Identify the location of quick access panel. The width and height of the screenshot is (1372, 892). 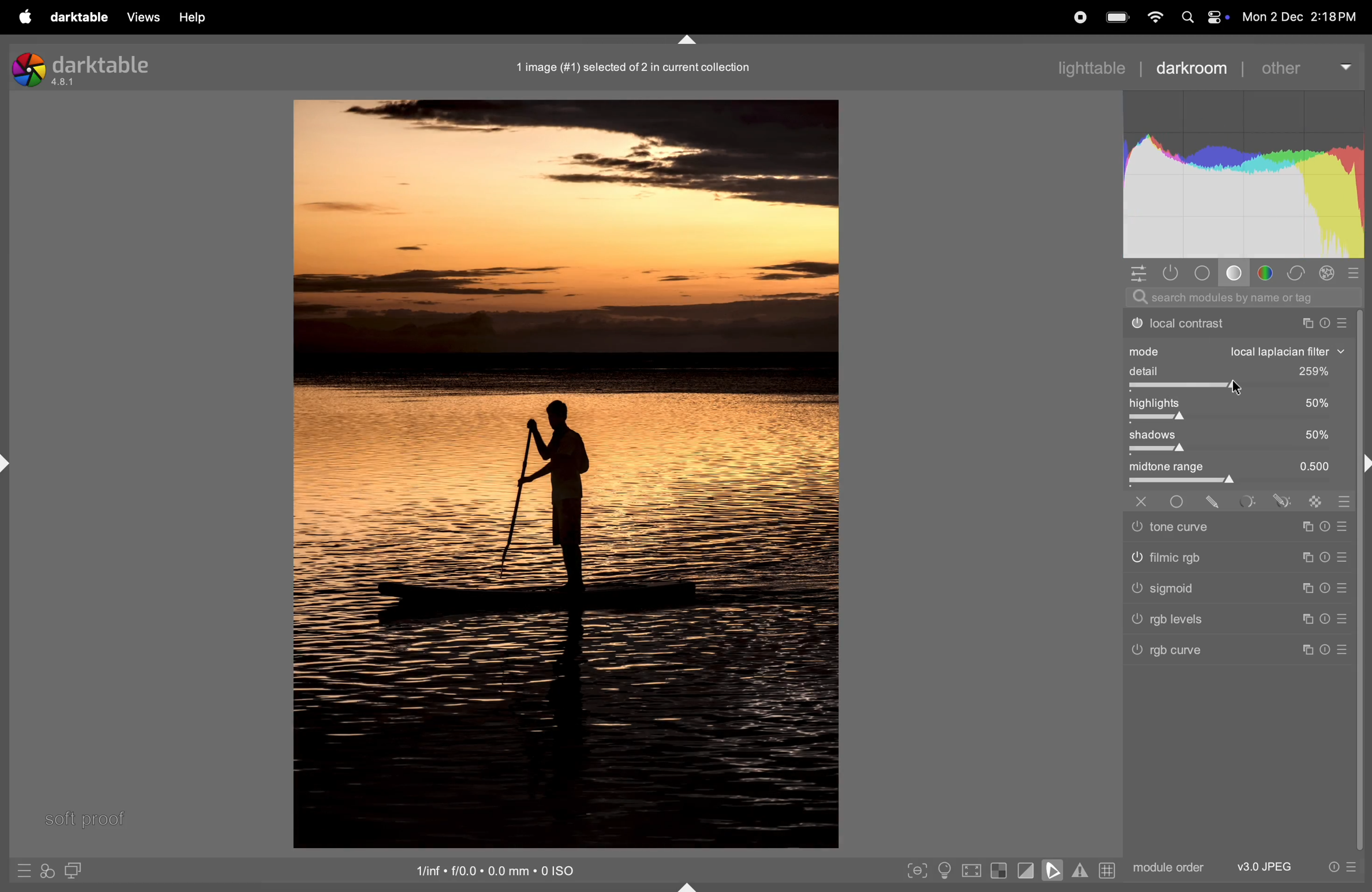
(1136, 273).